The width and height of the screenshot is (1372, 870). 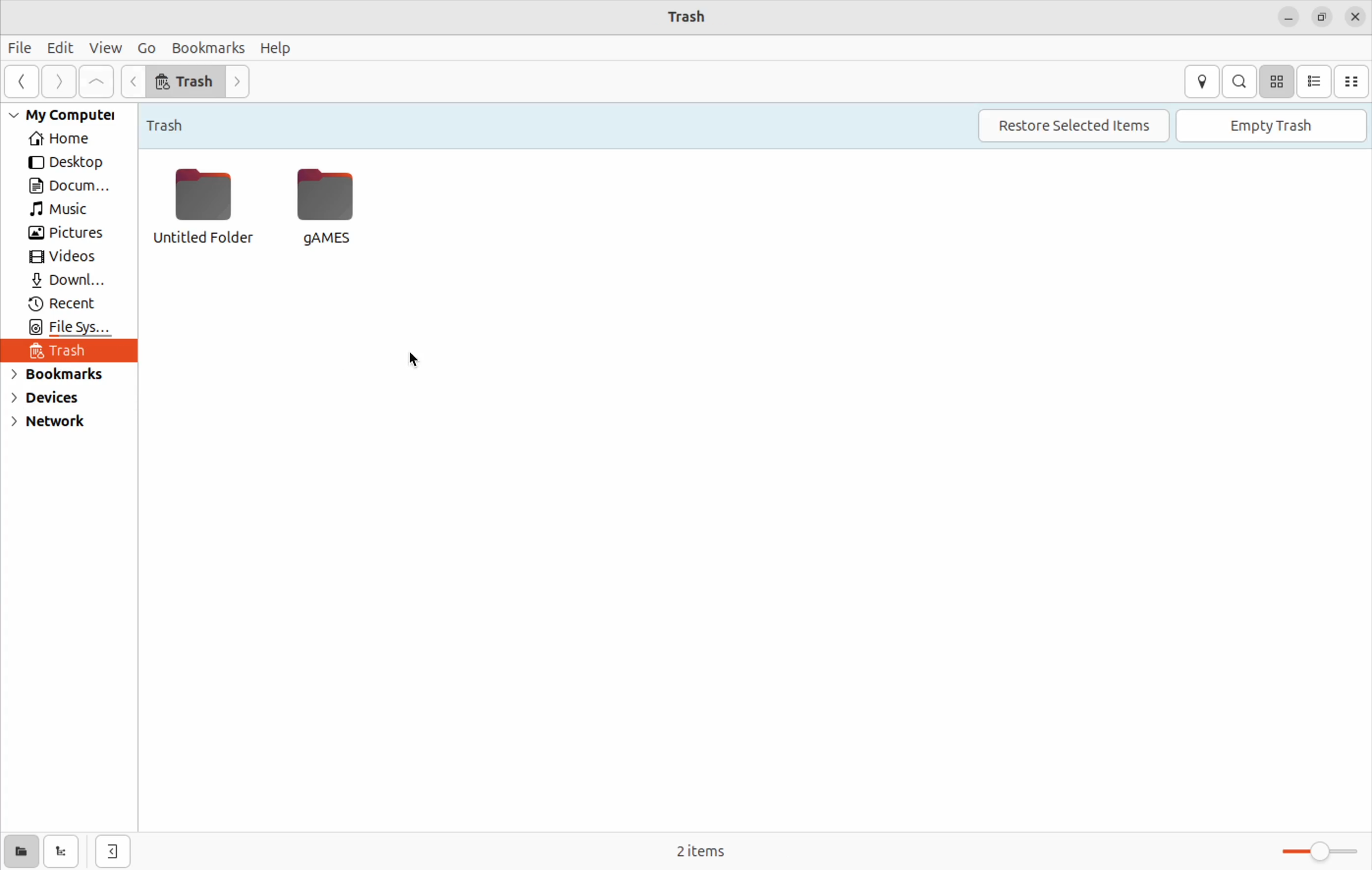 What do you see at coordinates (105, 48) in the screenshot?
I see `View` at bounding box center [105, 48].